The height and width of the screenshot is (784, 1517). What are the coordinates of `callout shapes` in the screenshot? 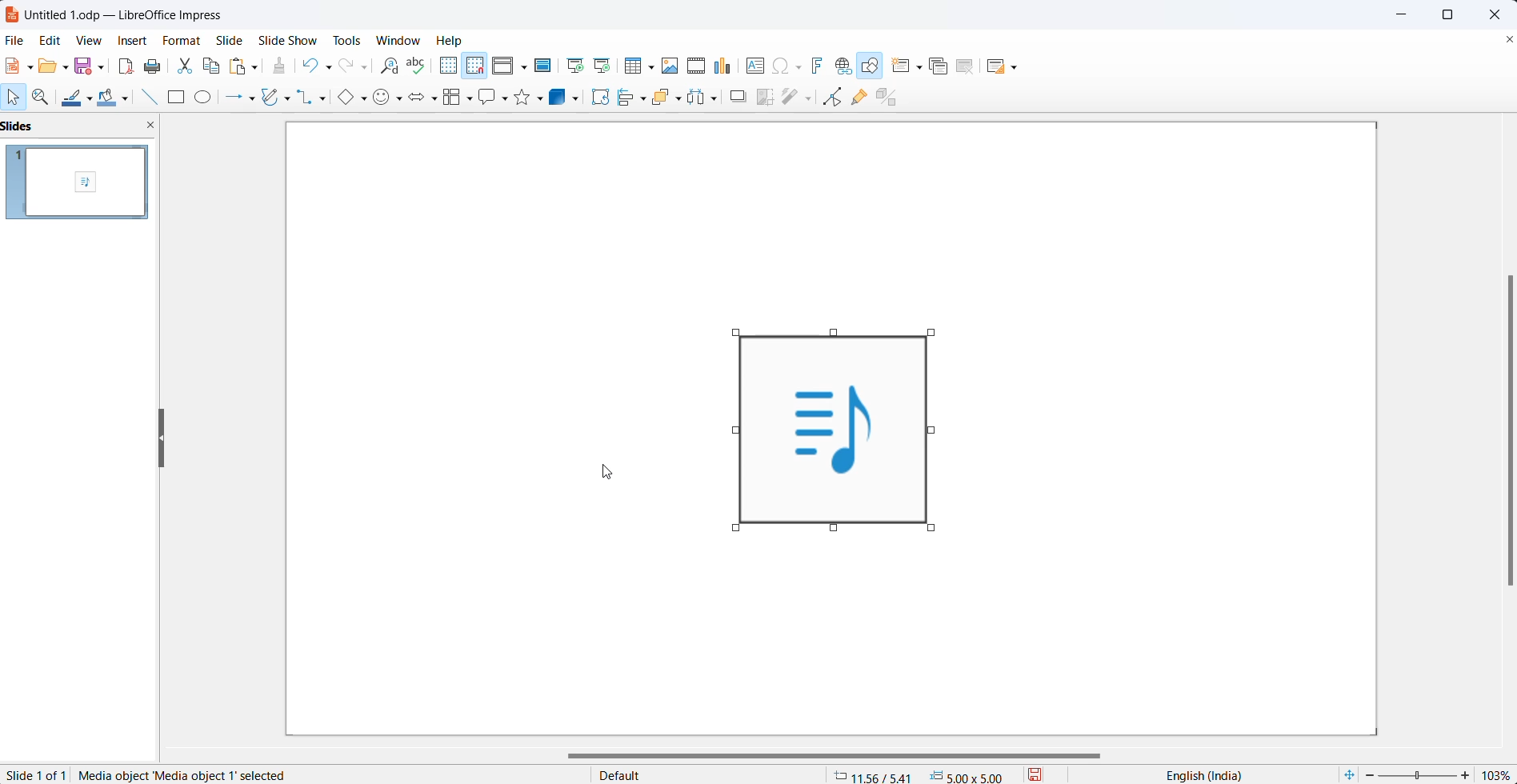 It's located at (490, 97).